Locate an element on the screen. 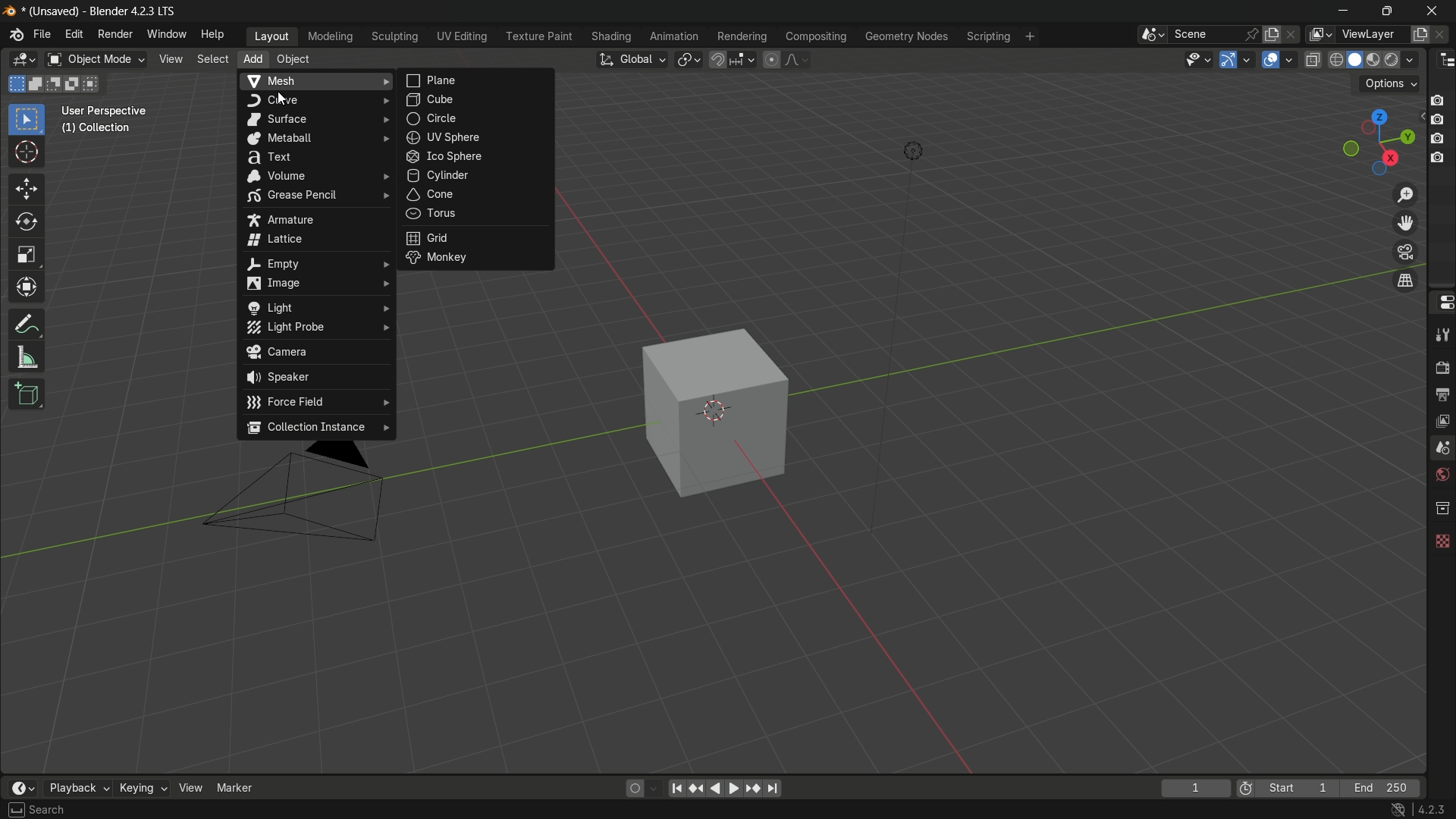 Image resolution: width=1456 pixels, height=819 pixels. window menu is located at coordinates (168, 35).